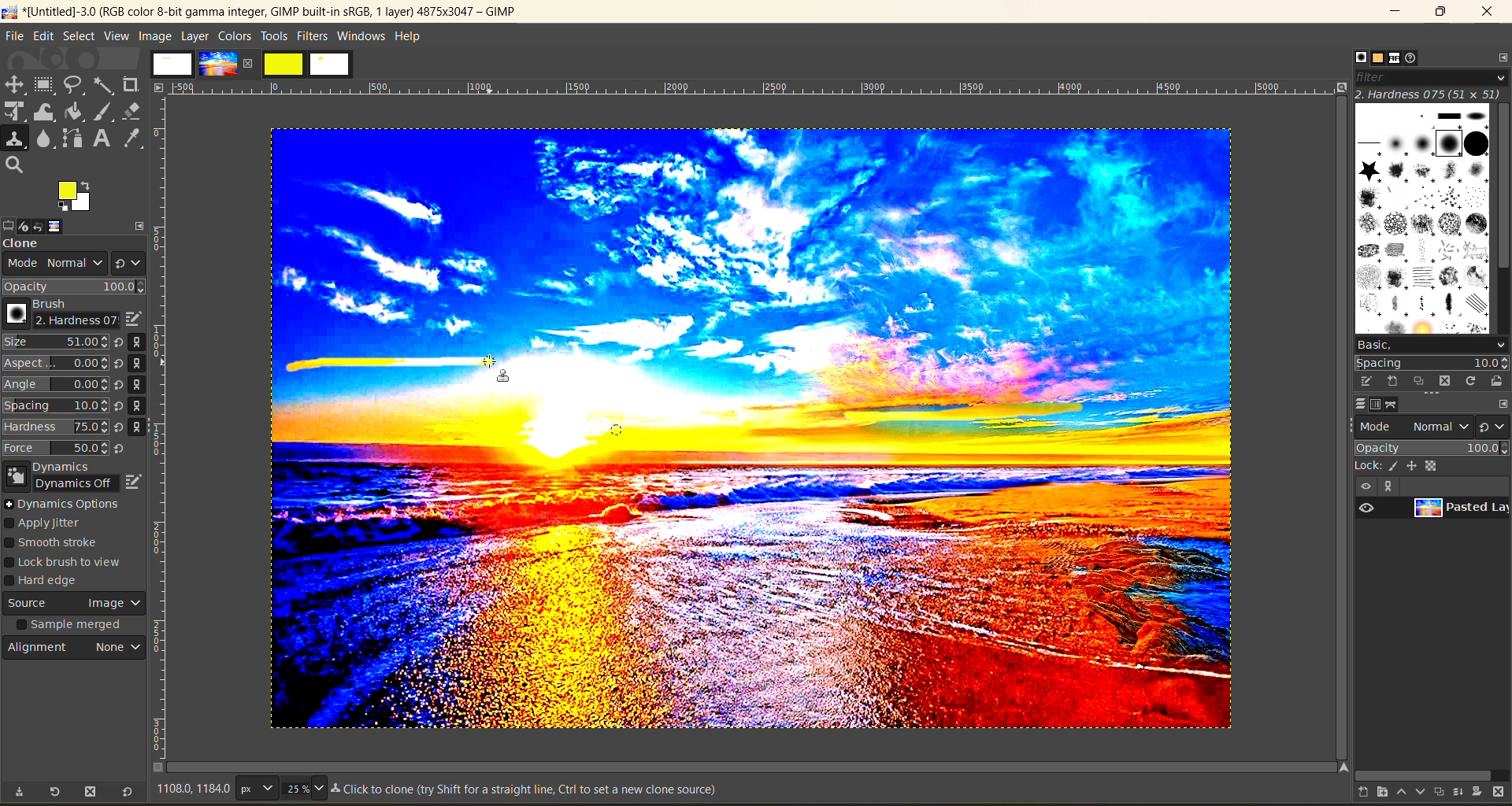 The height and width of the screenshot is (806, 1512). What do you see at coordinates (1503, 188) in the screenshot?
I see `vertical scroll bar` at bounding box center [1503, 188].